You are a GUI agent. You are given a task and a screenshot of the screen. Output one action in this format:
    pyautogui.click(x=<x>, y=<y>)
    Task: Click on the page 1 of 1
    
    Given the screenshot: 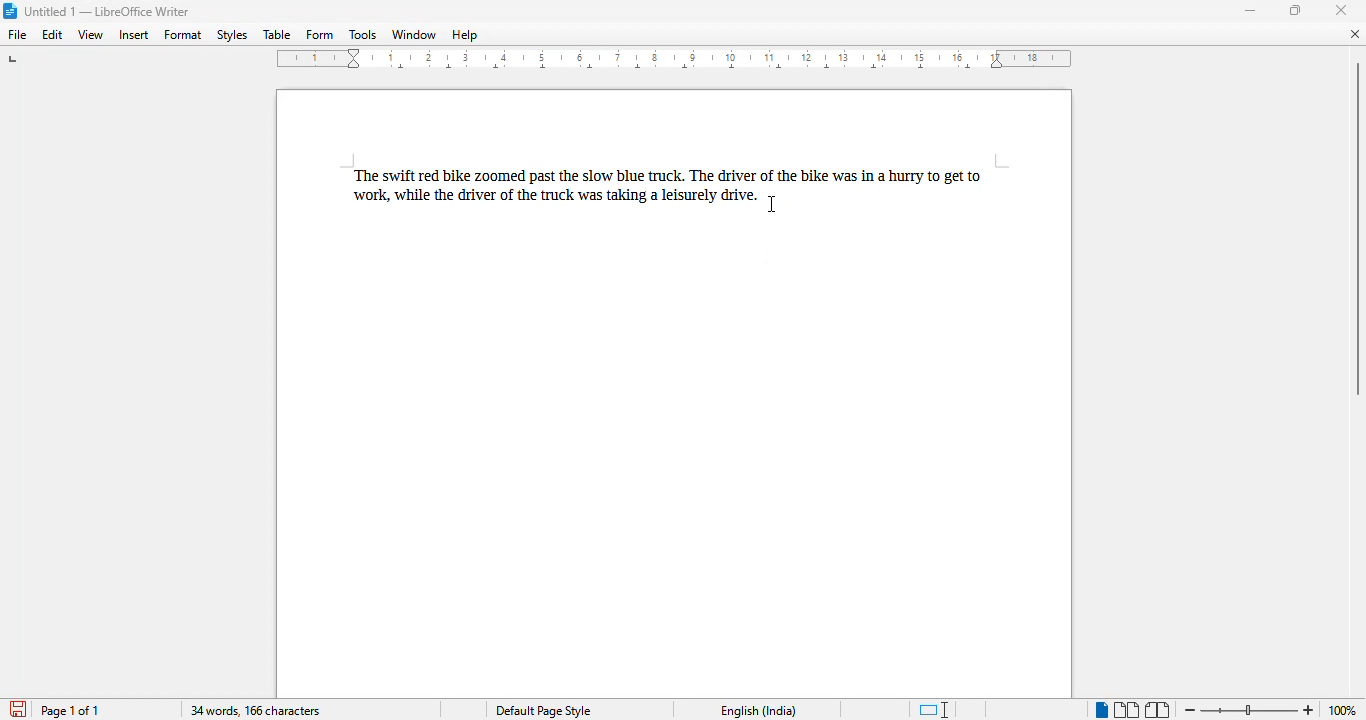 What is the action you would take?
    pyautogui.click(x=70, y=710)
    